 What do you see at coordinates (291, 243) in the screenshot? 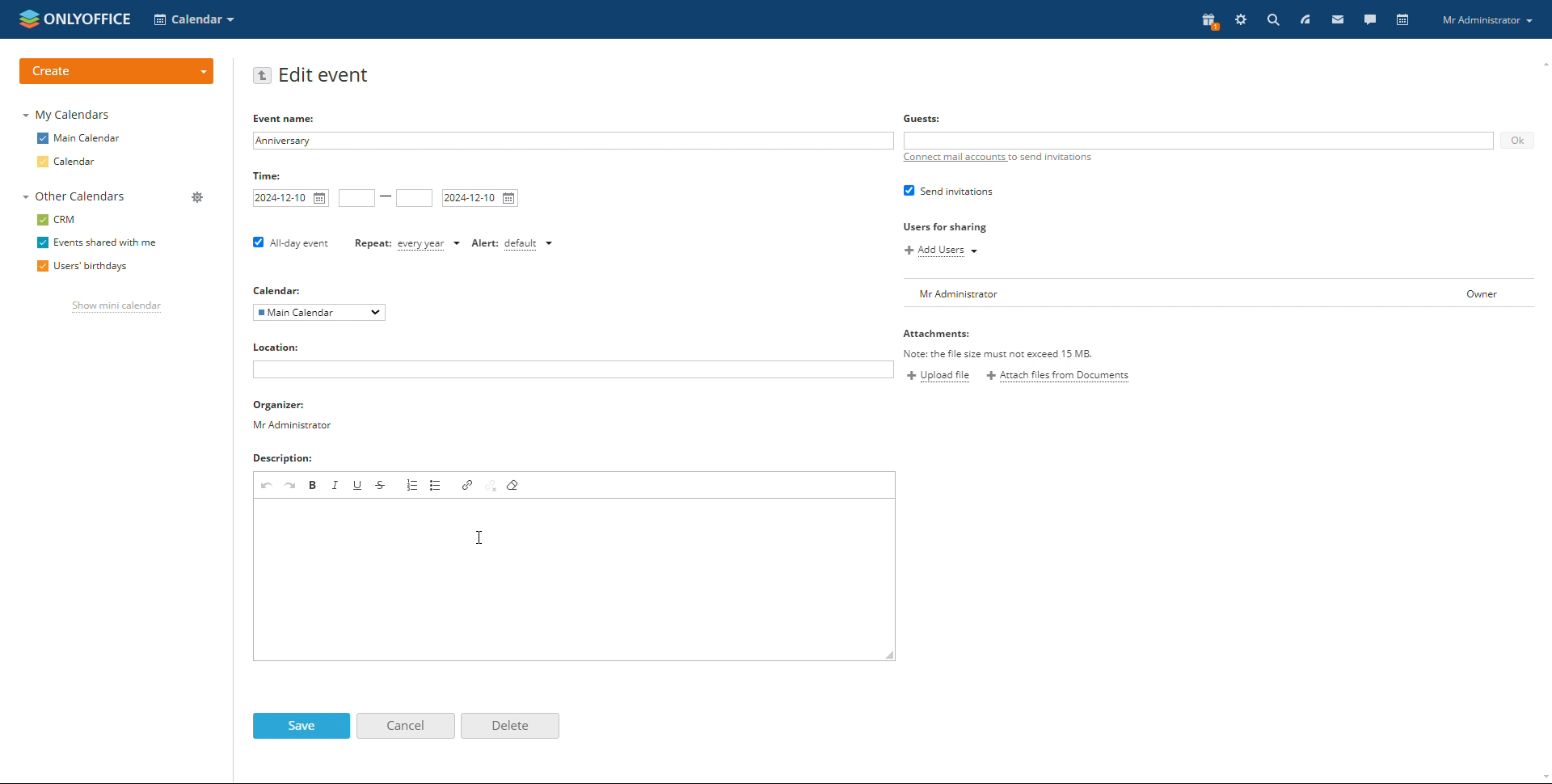
I see `all-day event` at bounding box center [291, 243].